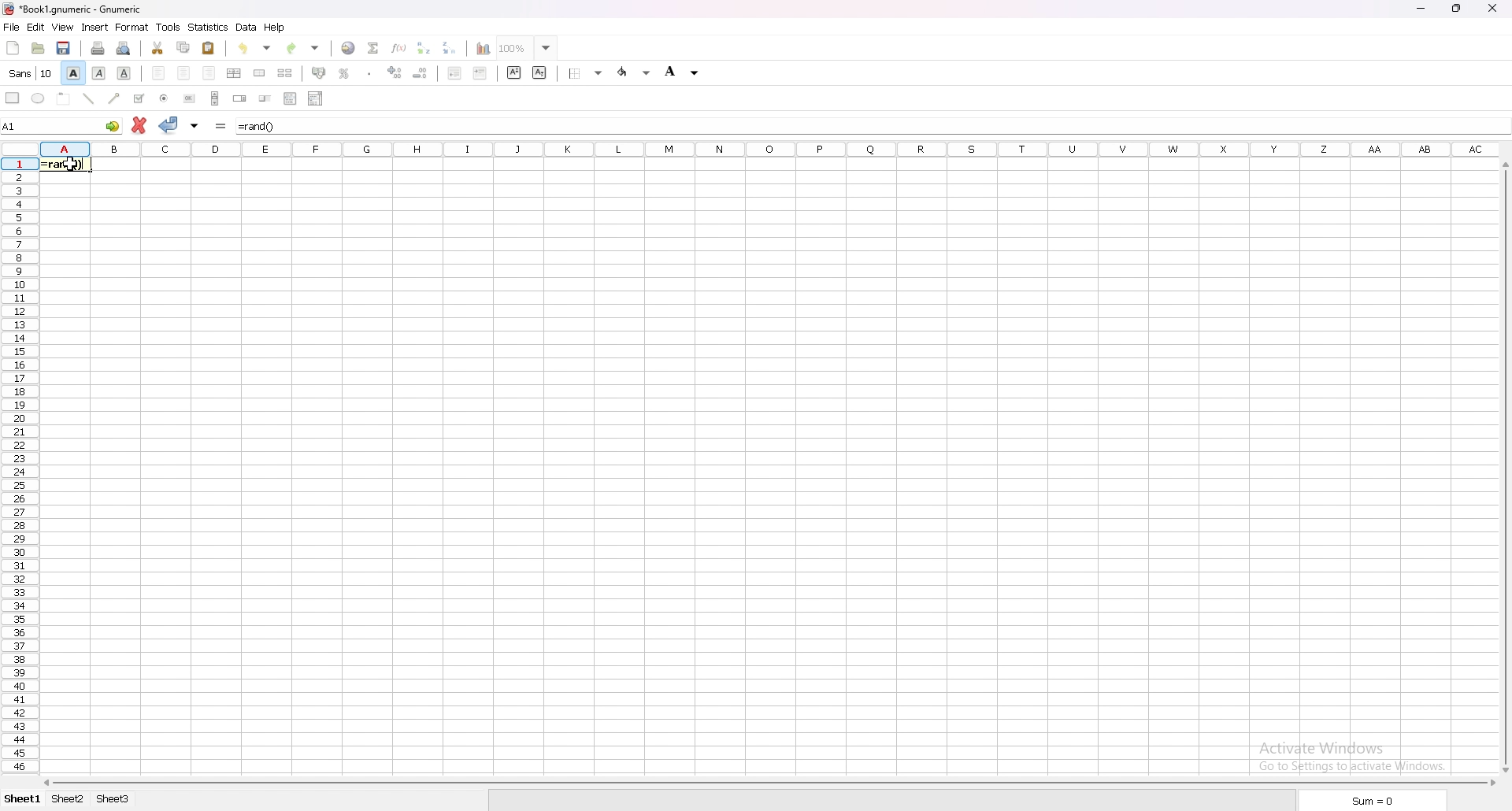 The width and height of the screenshot is (1512, 811). What do you see at coordinates (291, 98) in the screenshot?
I see `list` at bounding box center [291, 98].